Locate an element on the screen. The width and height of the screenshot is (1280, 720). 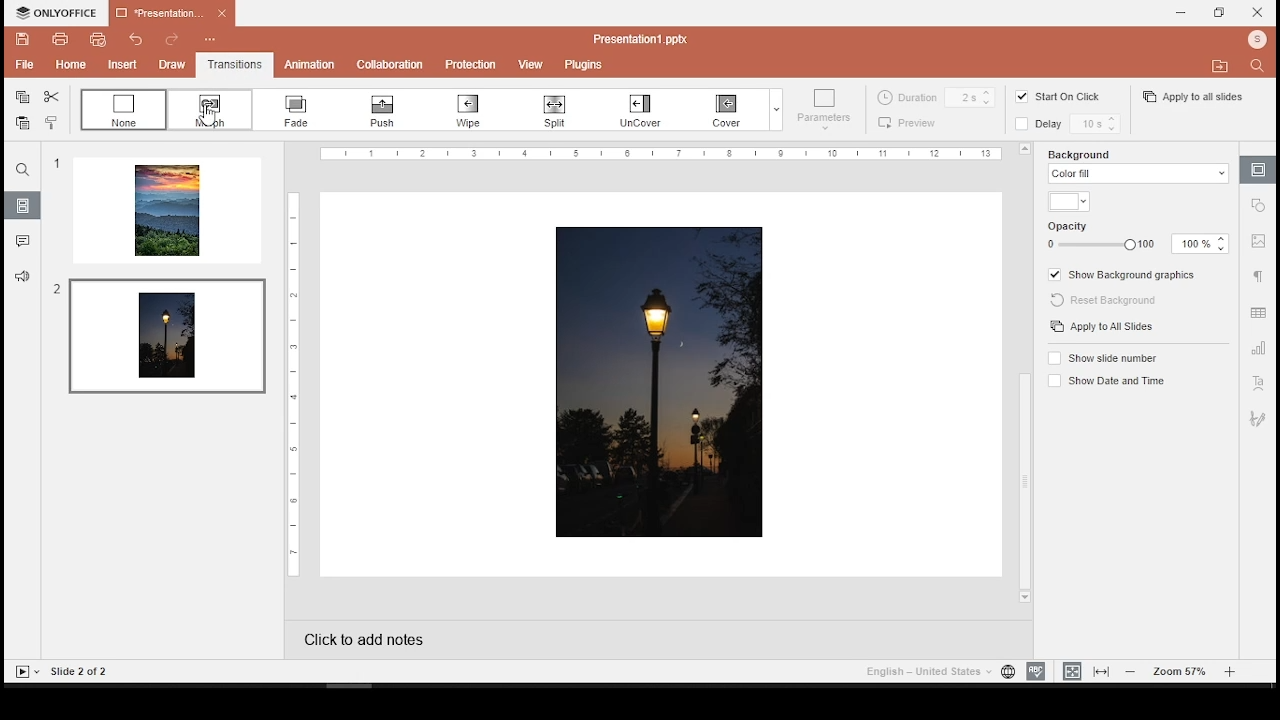
table settings is located at coordinates (1259, 314).